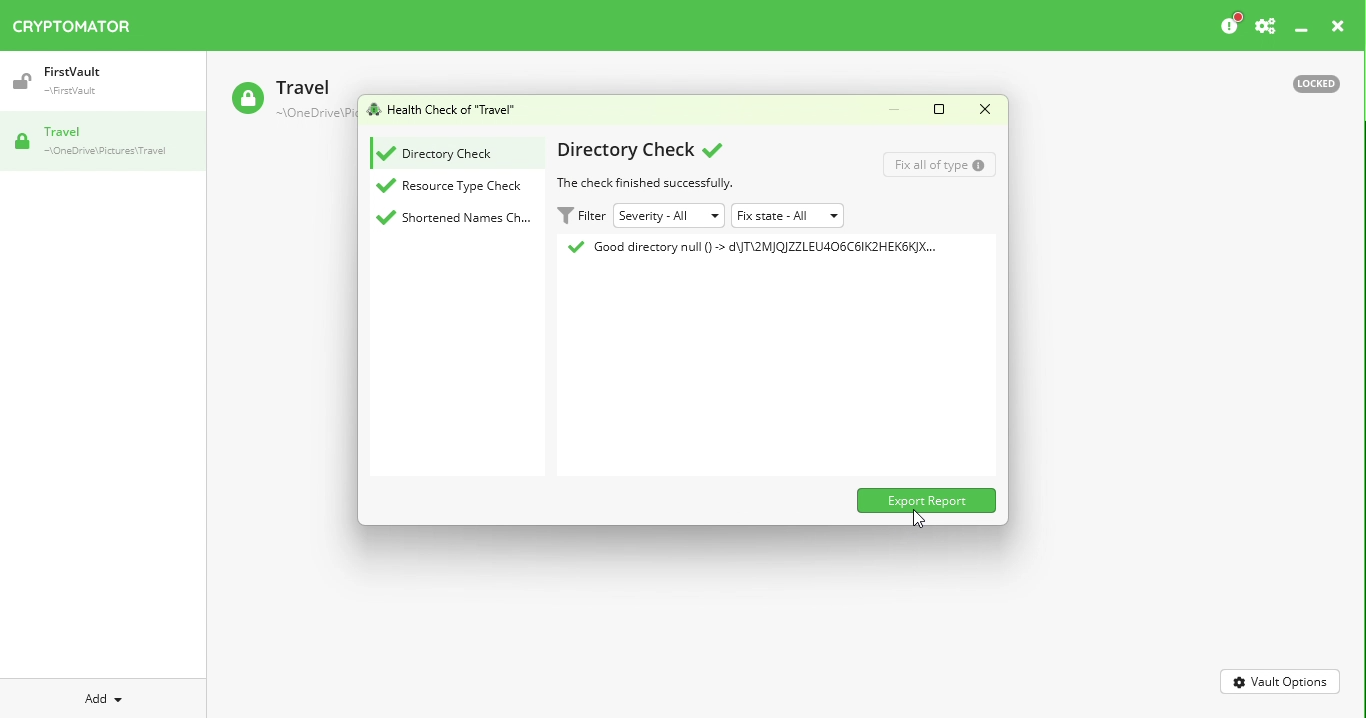  Describe the element at coordinates (940, 110) in the screenshot. I see `Maximize` at that location.